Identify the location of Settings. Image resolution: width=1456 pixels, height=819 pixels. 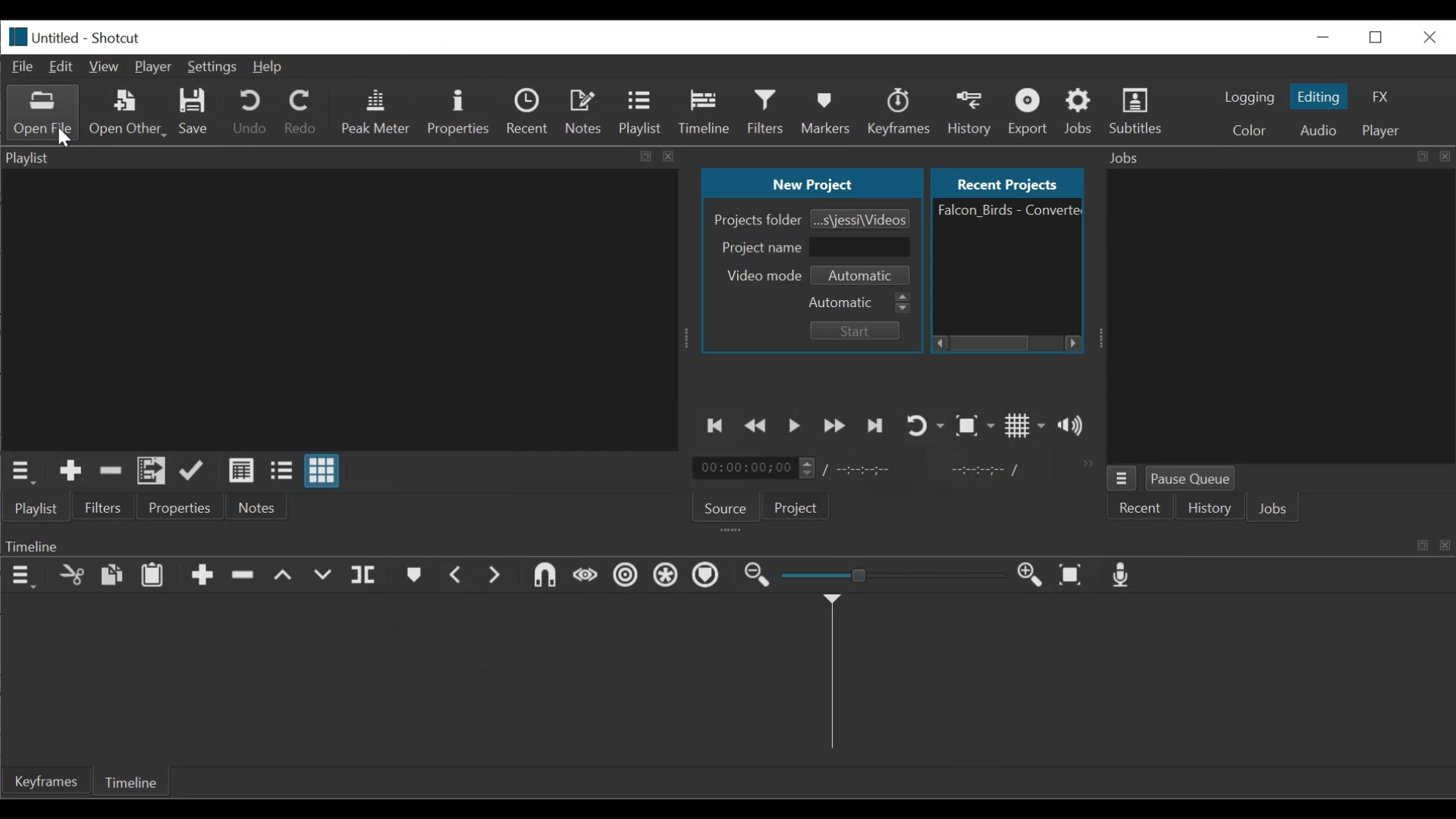
(212, 68).